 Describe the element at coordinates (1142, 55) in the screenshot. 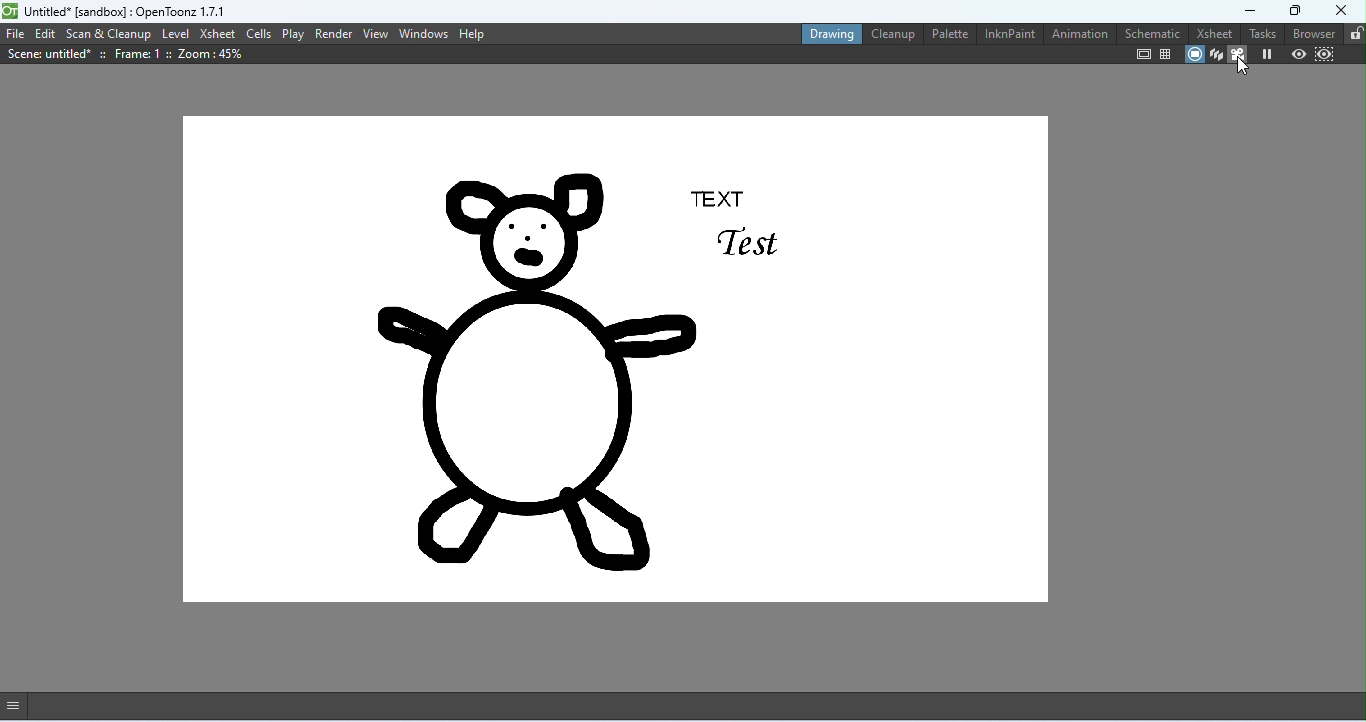

I see `safe area` at that location.